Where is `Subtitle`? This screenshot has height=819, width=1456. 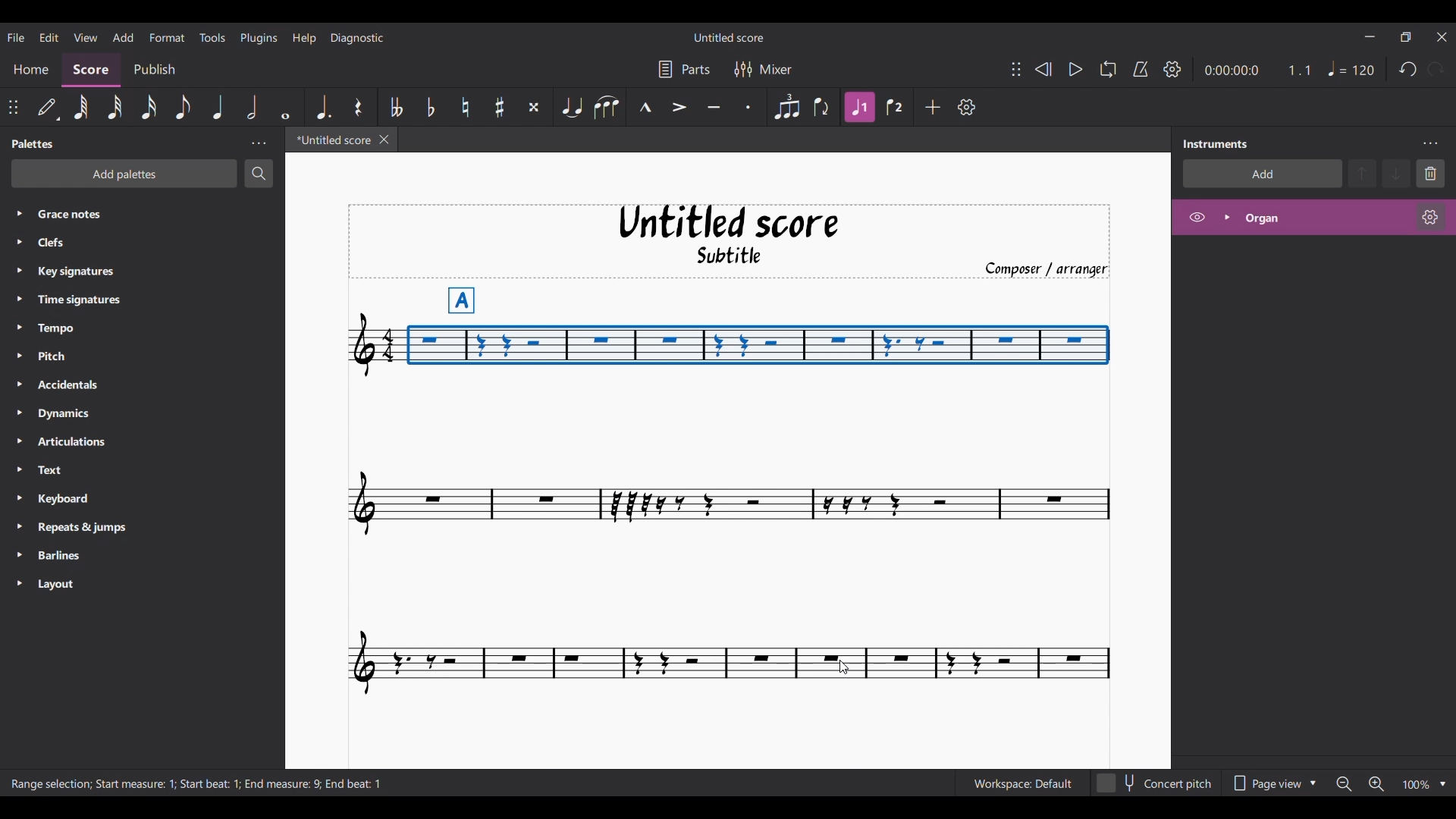 Subtitle is located at coordinates (745, 255).